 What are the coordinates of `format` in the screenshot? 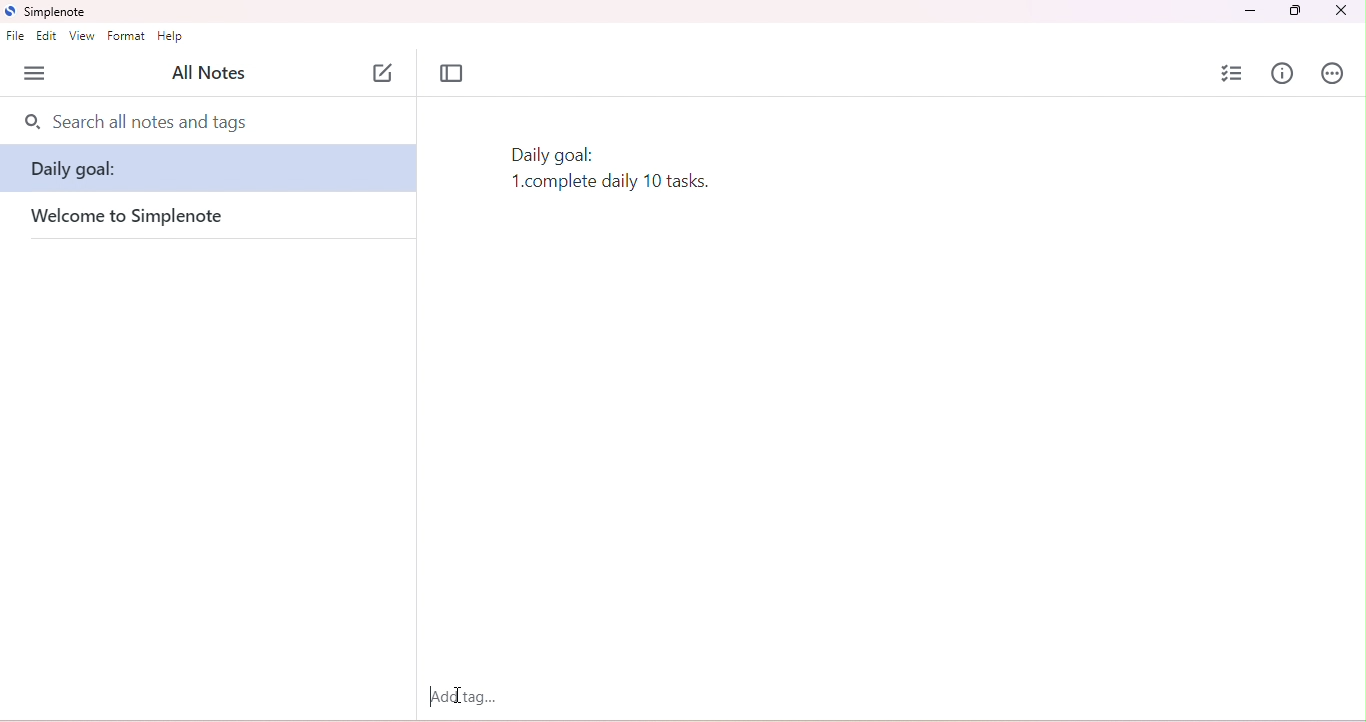 It's located at (127, 36).